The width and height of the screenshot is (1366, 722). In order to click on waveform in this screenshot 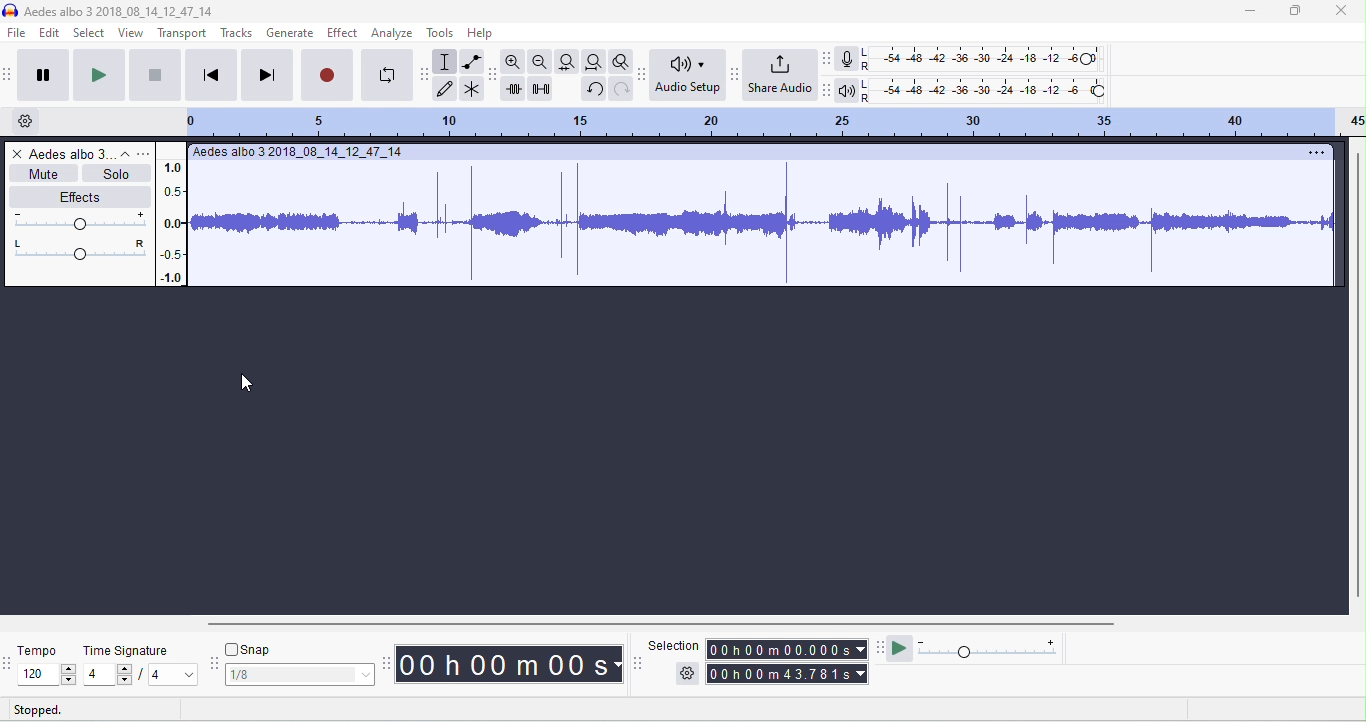, I will do `click(763, 224)`.